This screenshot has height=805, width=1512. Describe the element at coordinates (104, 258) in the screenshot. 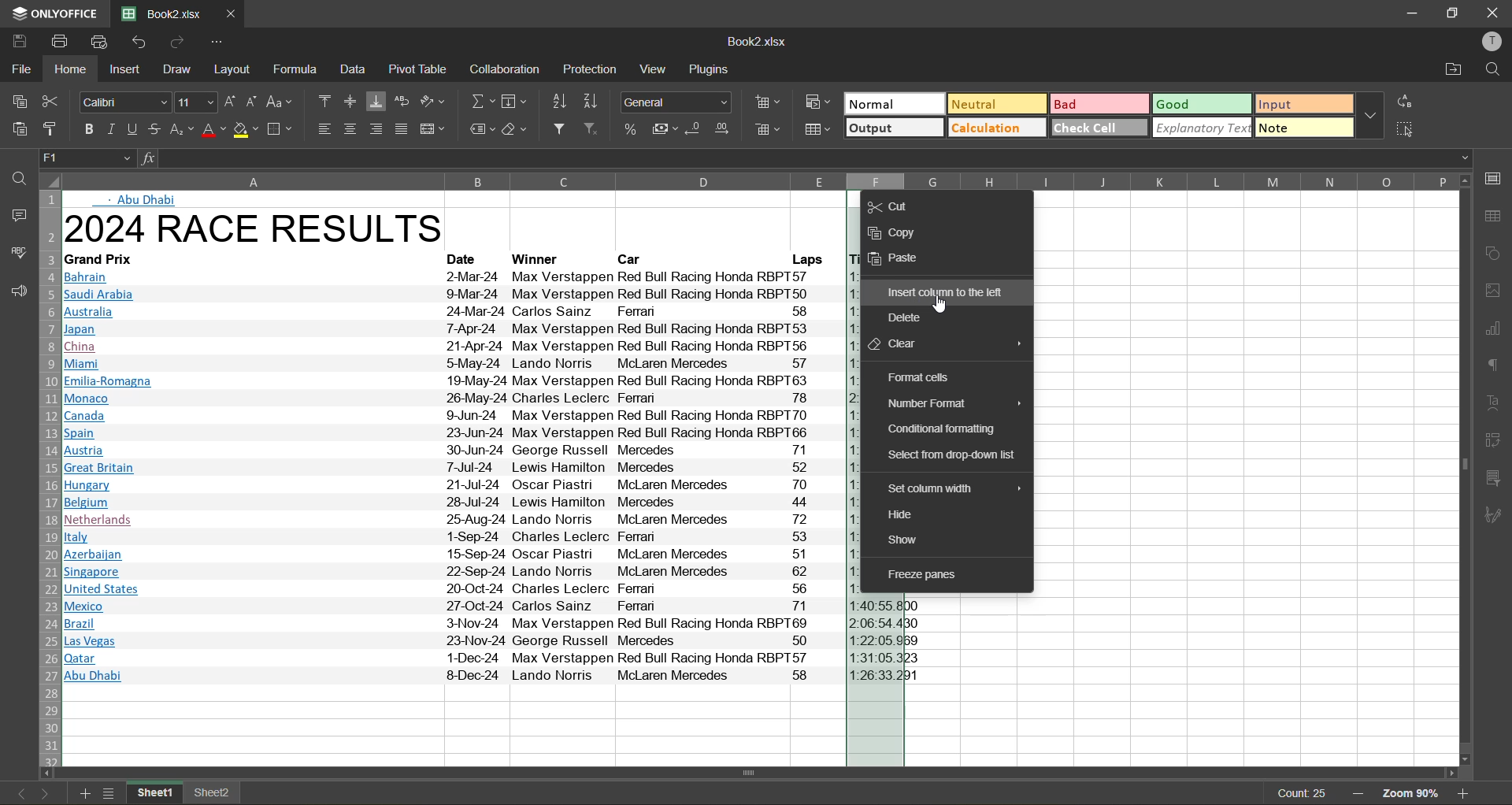

I see `| Grand Prix` at that location.